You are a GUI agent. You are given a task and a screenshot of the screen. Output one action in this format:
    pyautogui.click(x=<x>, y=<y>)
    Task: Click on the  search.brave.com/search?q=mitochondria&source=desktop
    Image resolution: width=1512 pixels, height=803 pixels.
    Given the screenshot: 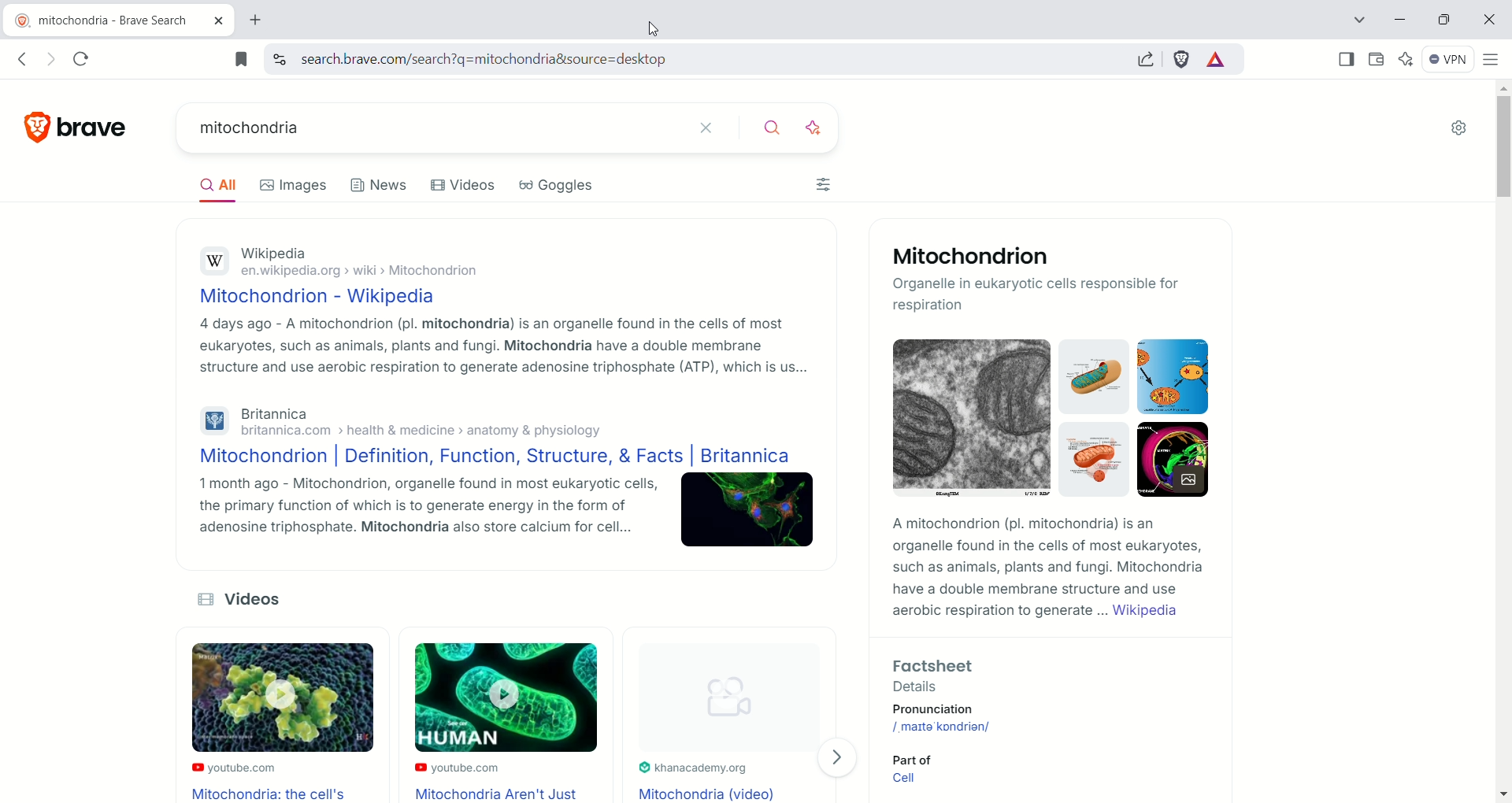 What is the action you would take?
    pyautogui.click(x=478, y=60)
    